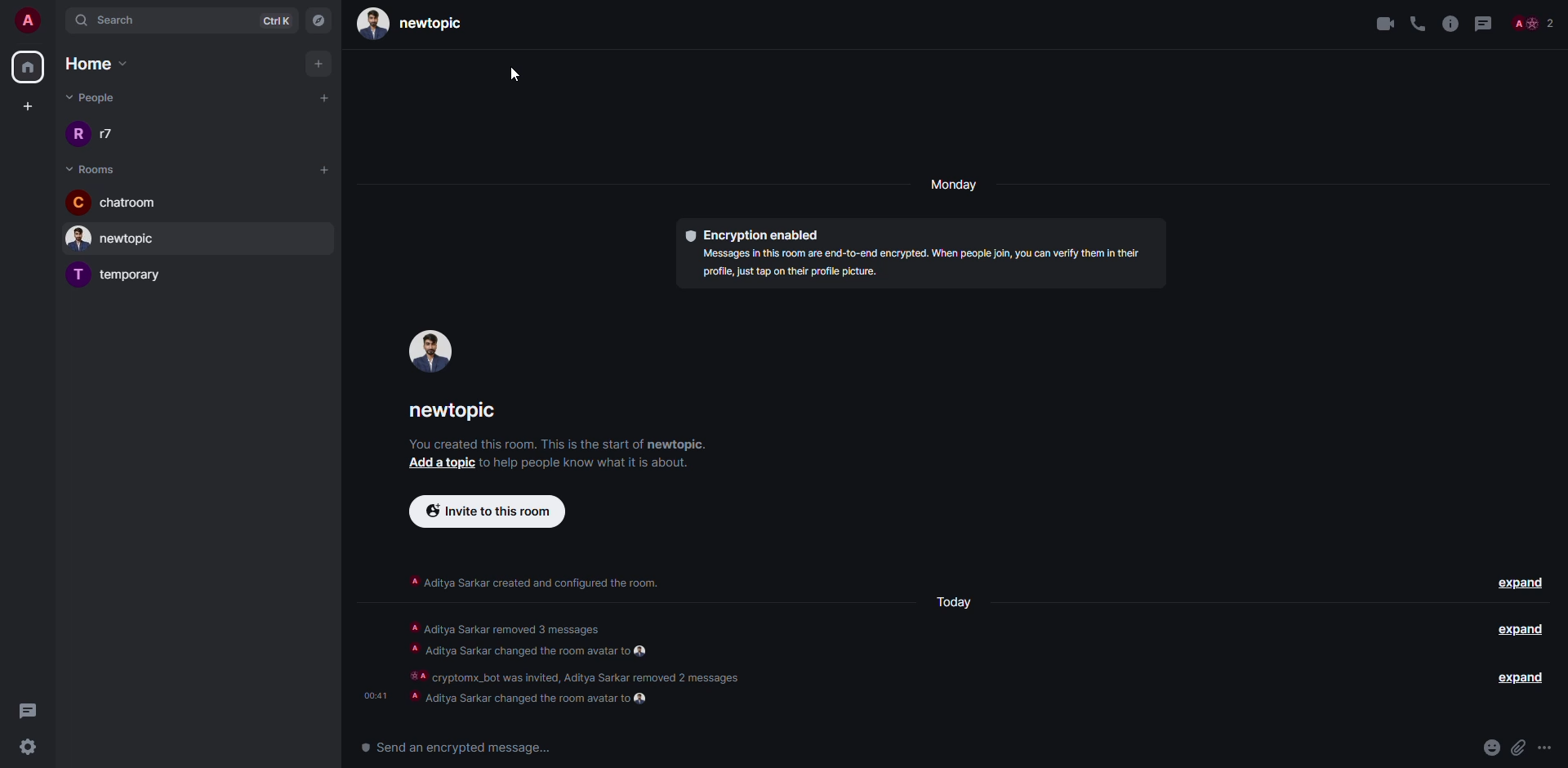  I want to click on rooms, so click(94, 169).